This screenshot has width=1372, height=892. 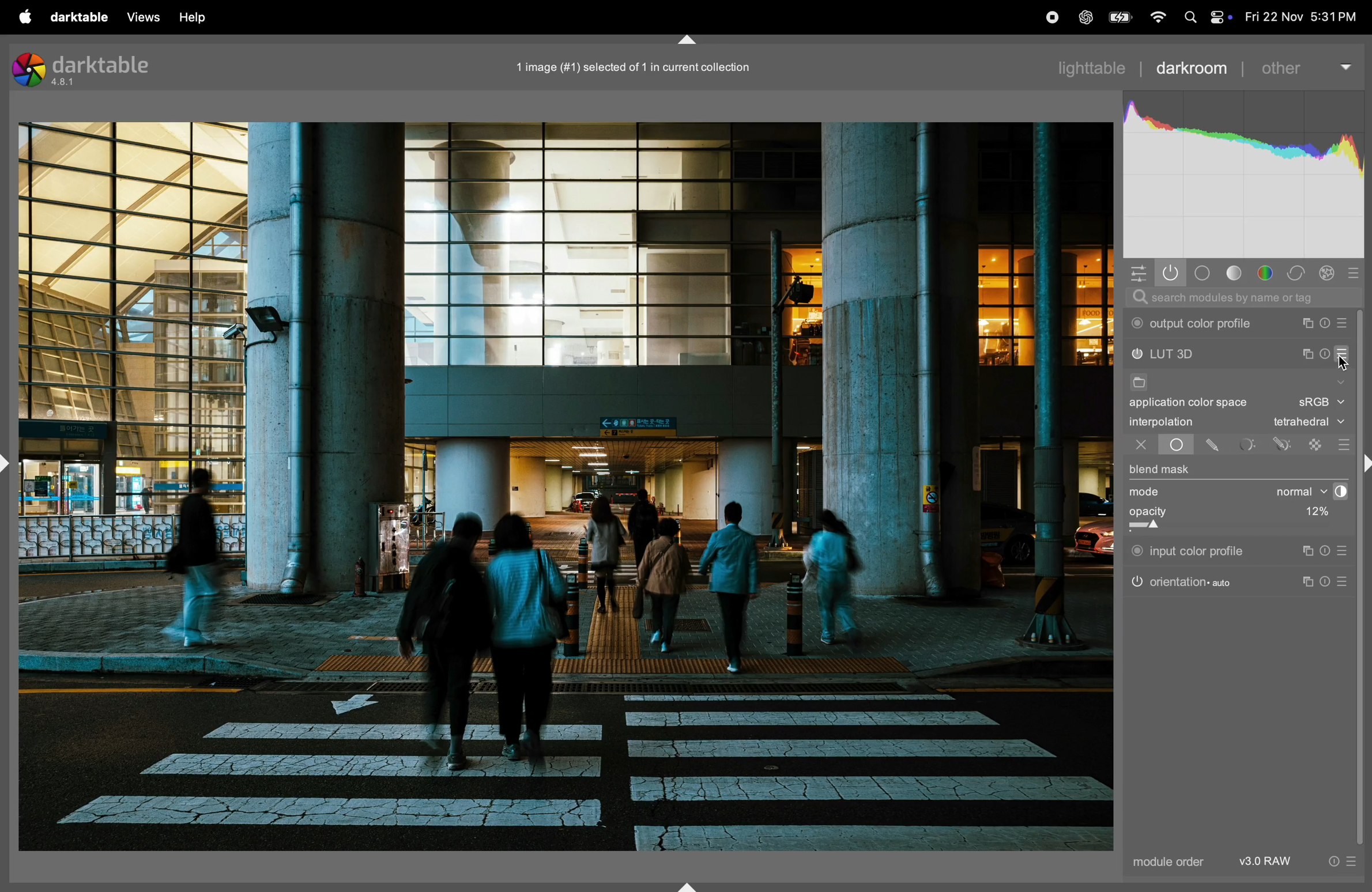 What do you see at coordinates (1305, 63) in the screenshot?
I see `other` at bounding box center [1305, 63].